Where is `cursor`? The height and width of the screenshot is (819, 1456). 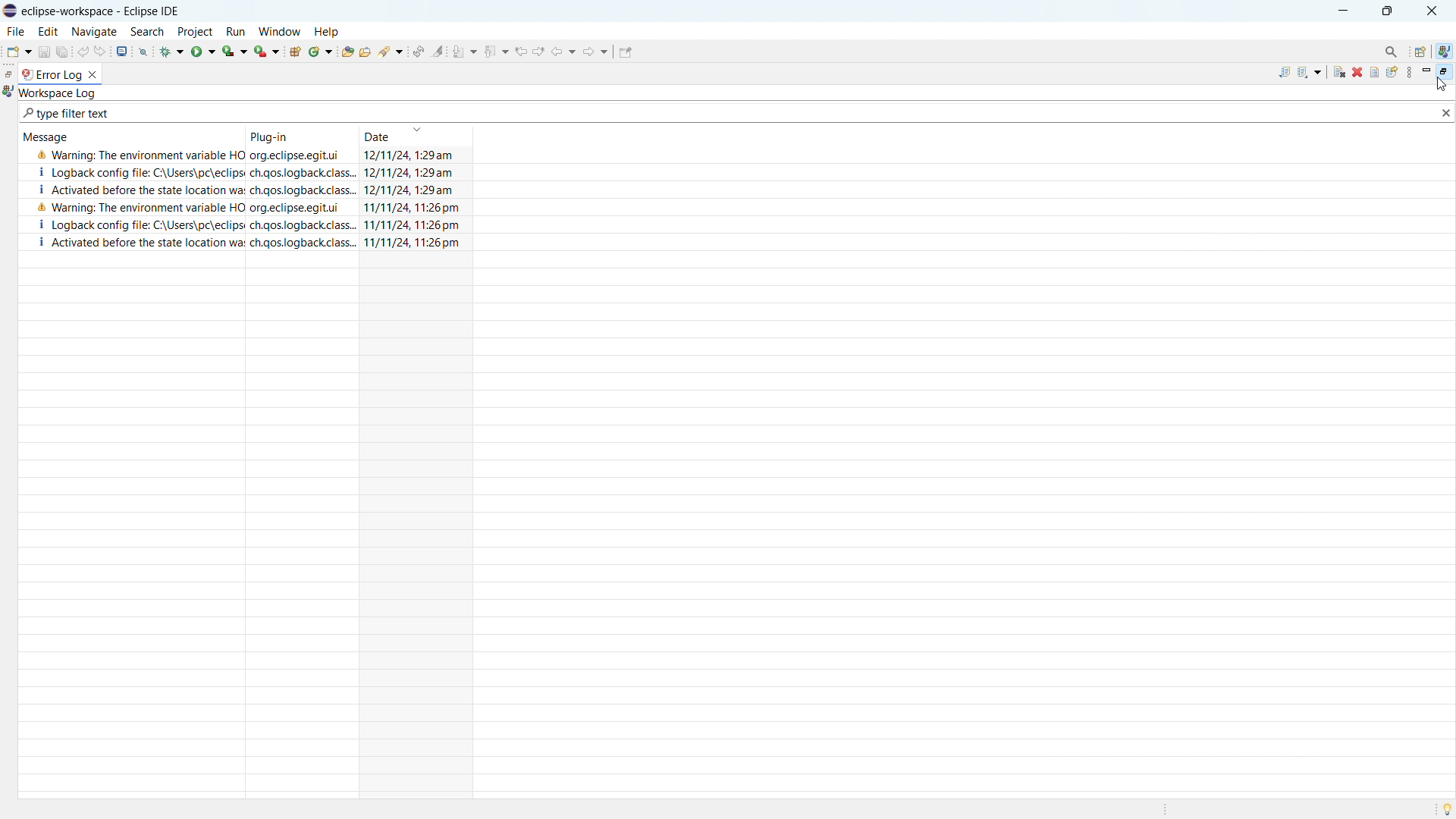
cursor is located at coordinates (1445, 86).